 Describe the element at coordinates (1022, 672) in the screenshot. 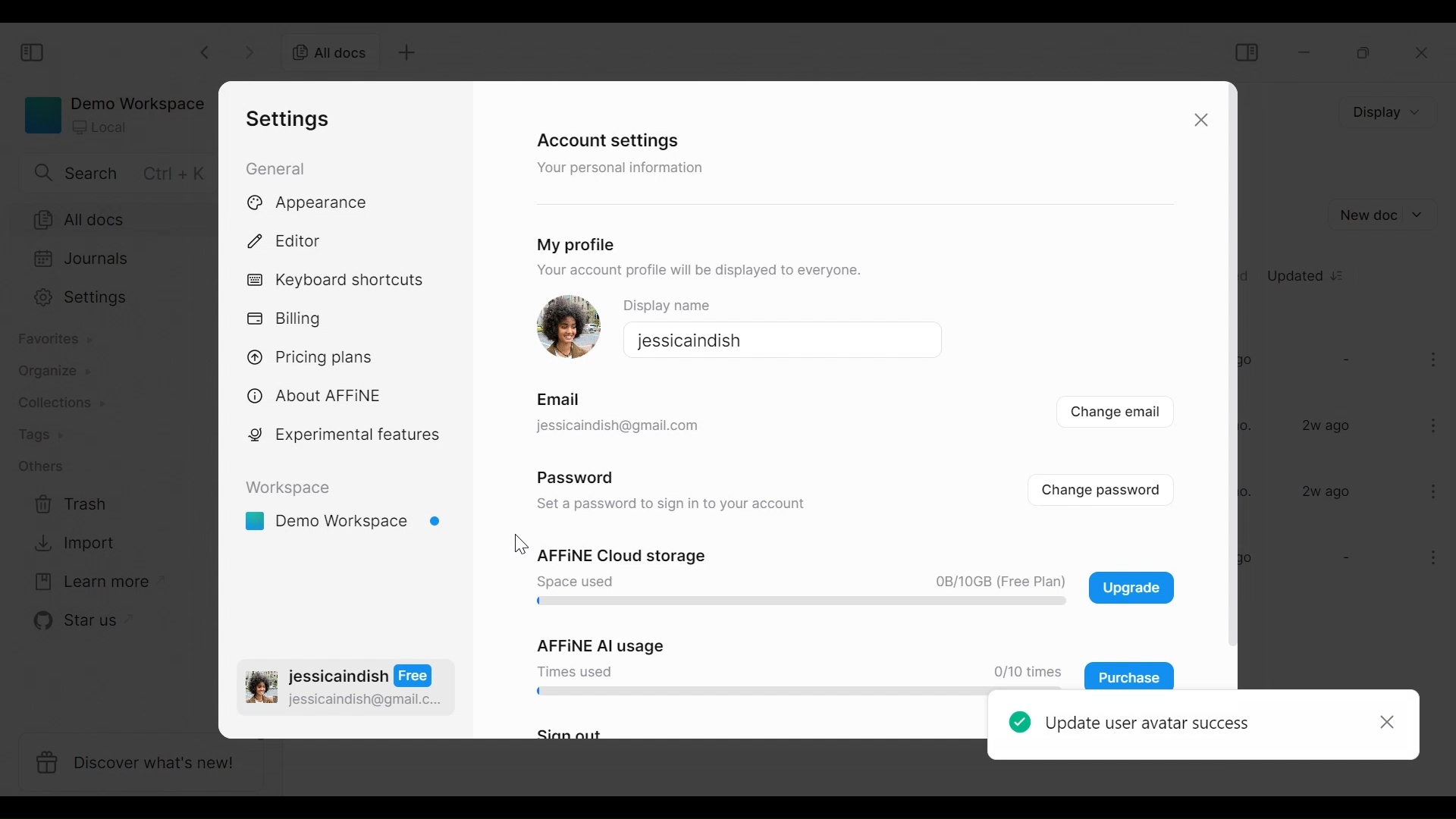

I see `0/10 times` at that location.